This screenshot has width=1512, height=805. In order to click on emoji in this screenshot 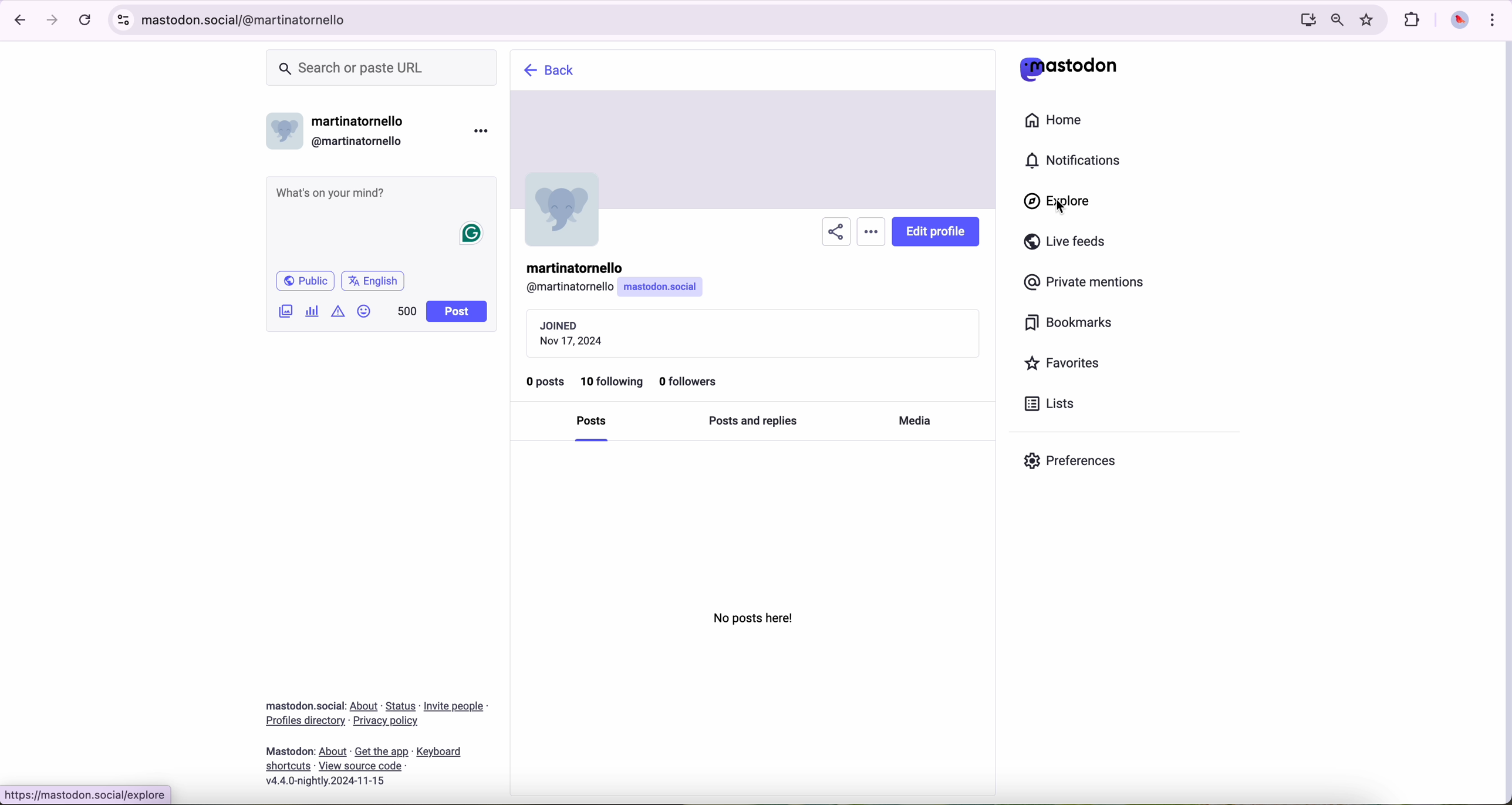, I will do `click(365, 313)`.